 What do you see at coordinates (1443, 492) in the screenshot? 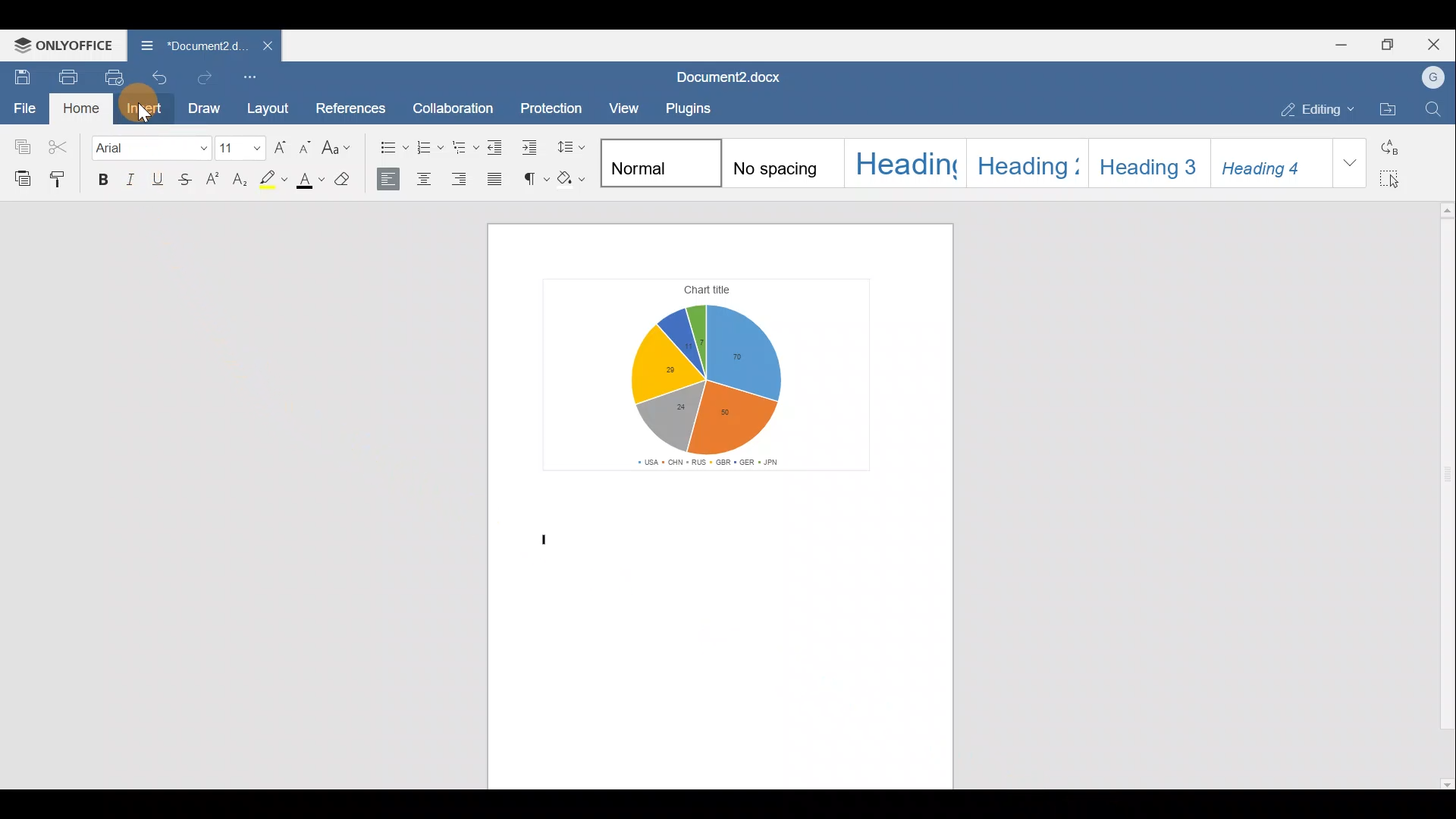
I see `Scroll bar` at bounding box center [1443, 492].